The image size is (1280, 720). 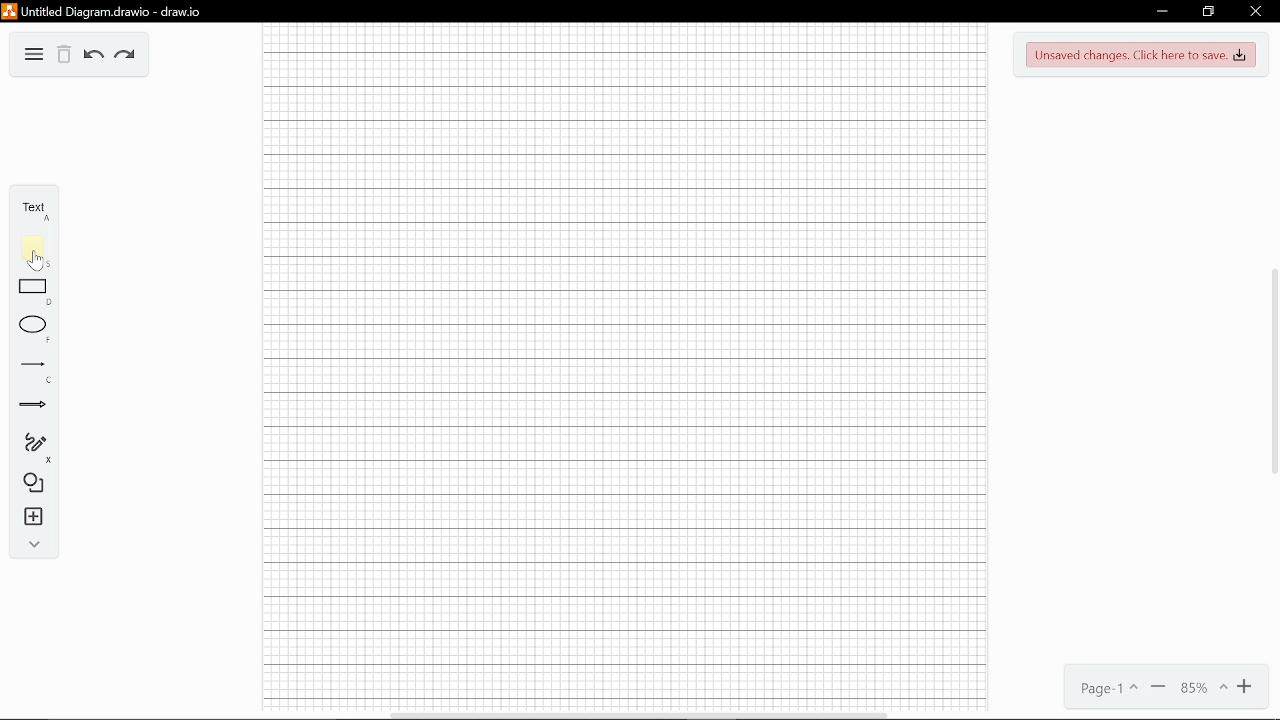 I want to click on Canvas, so click(x=623, y=374).